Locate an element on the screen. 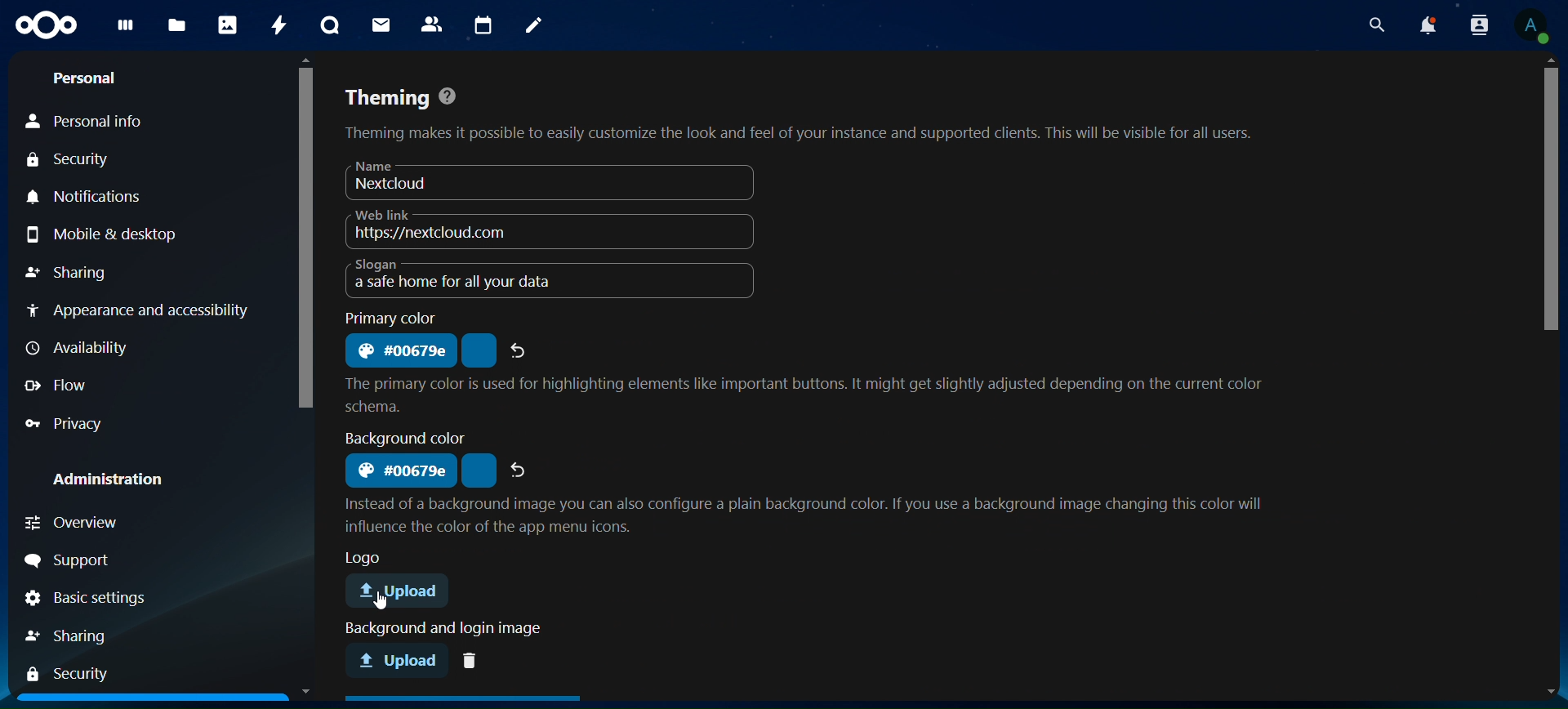 Image resolution: width=1568 pixels, height=709 pixels. administration is located at coordinates (120, 474).